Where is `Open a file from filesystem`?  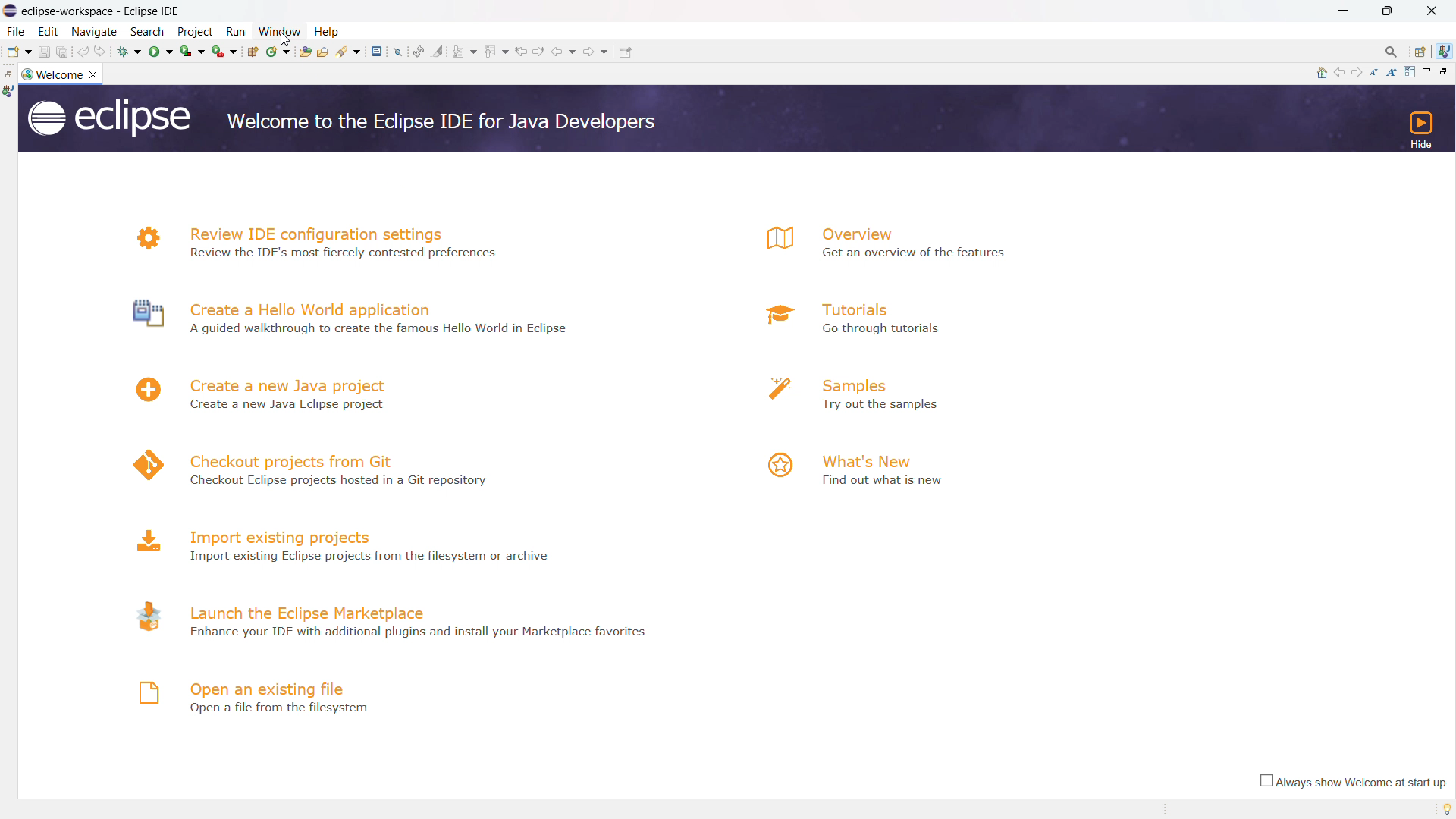
Open a file from filesystem is located at coordinates (277, 710).